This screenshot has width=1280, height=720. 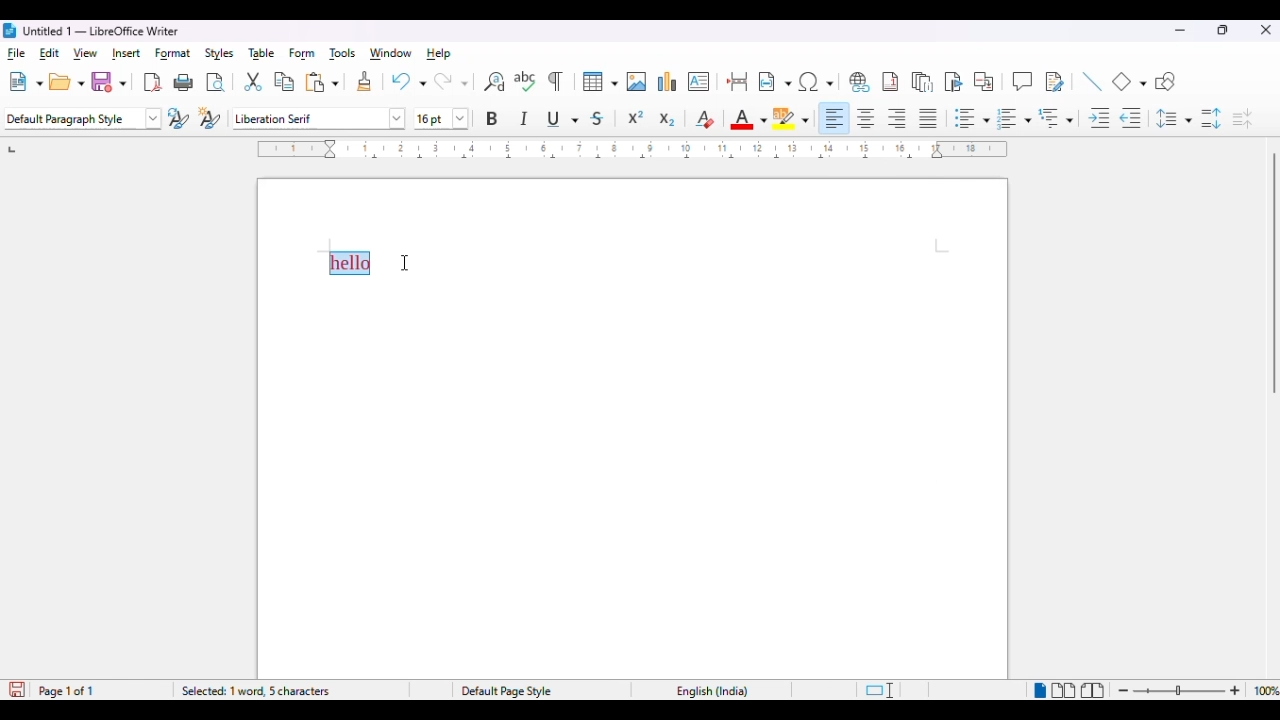 What do you see at coordinates (1022, 81) in the screenshot?
I see `insert comment` at bounding box center [1022, 81].